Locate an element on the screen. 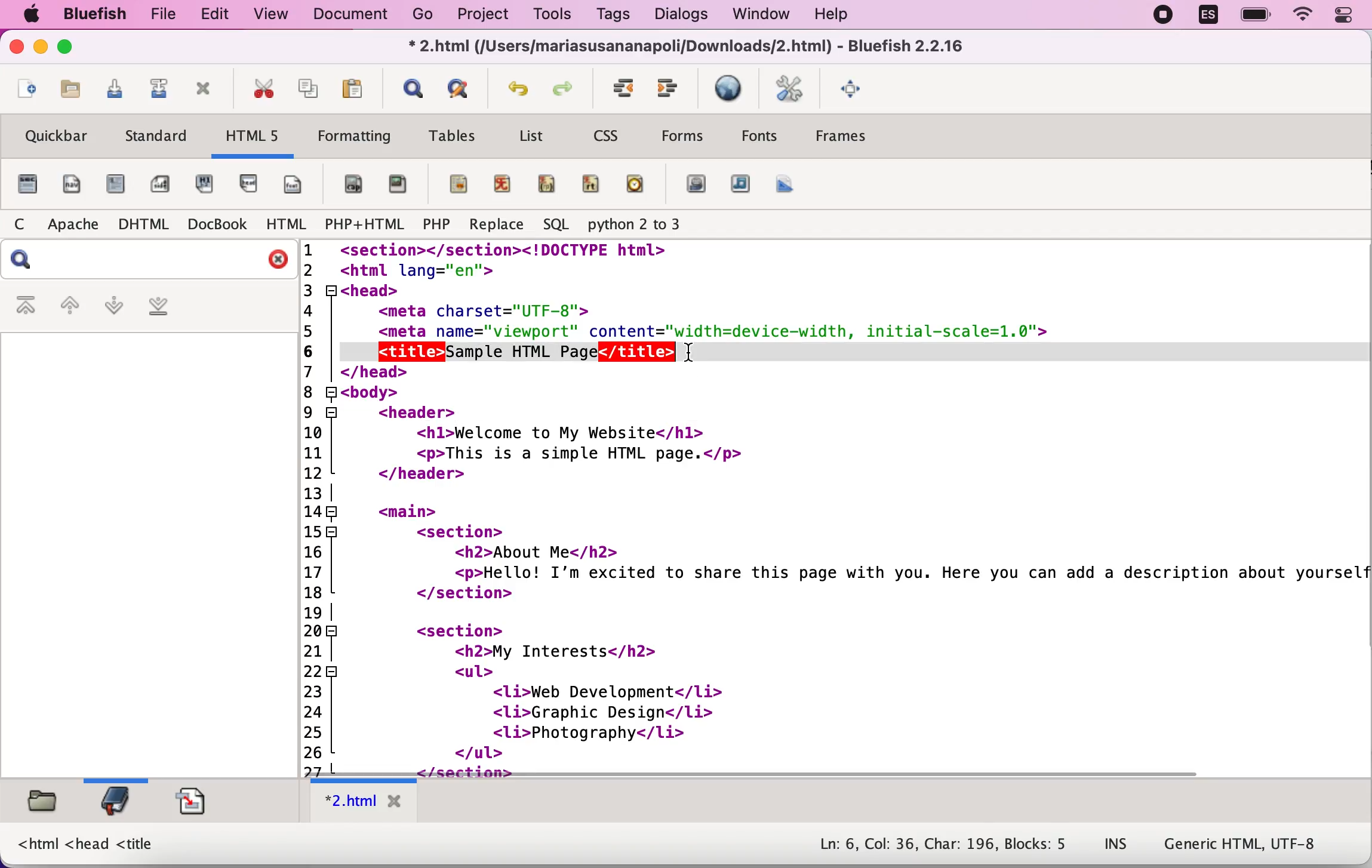  video is located at coordinates (696, 184).